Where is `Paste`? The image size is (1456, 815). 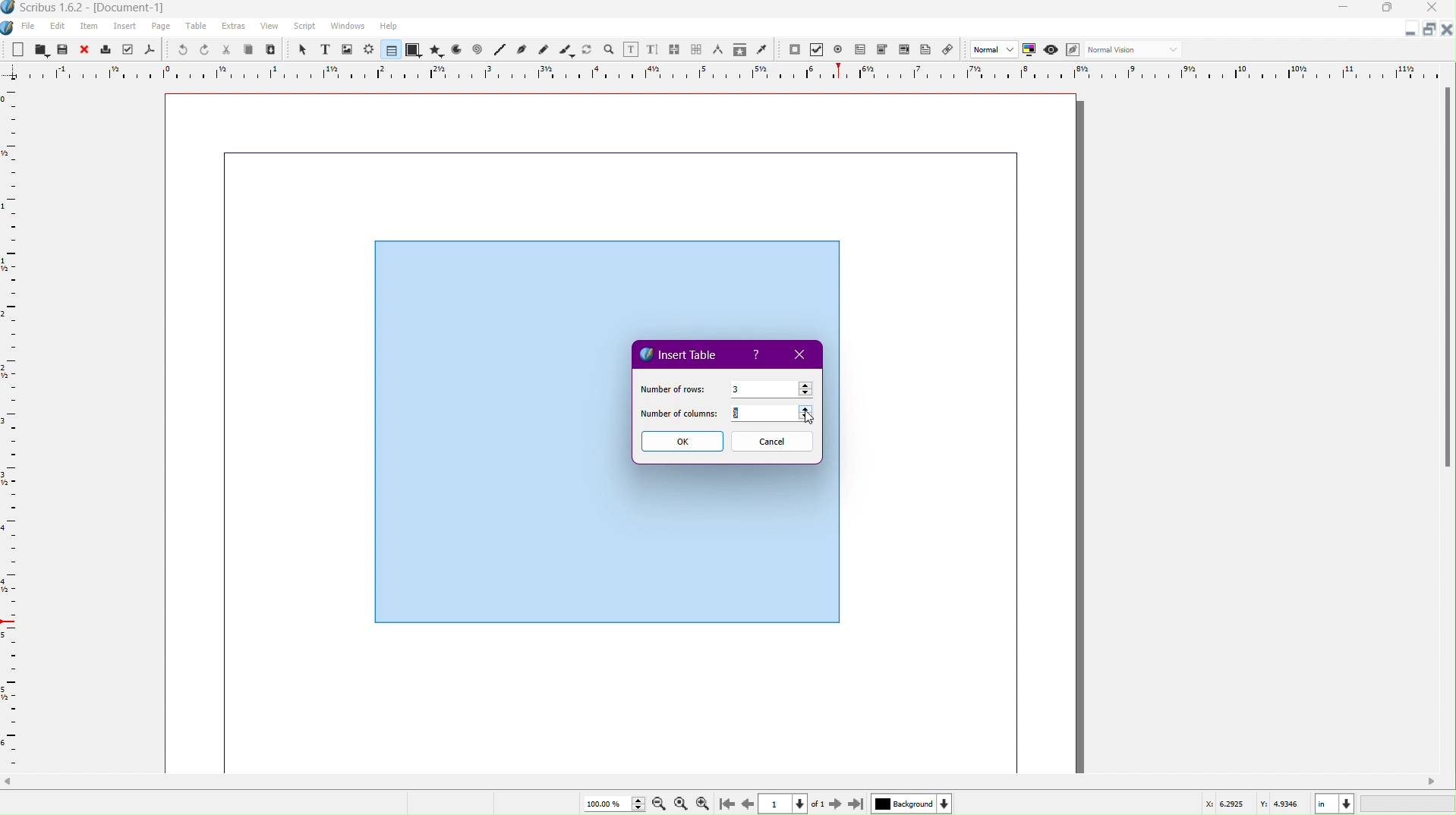
Paste is located at coordinates (272, 50).